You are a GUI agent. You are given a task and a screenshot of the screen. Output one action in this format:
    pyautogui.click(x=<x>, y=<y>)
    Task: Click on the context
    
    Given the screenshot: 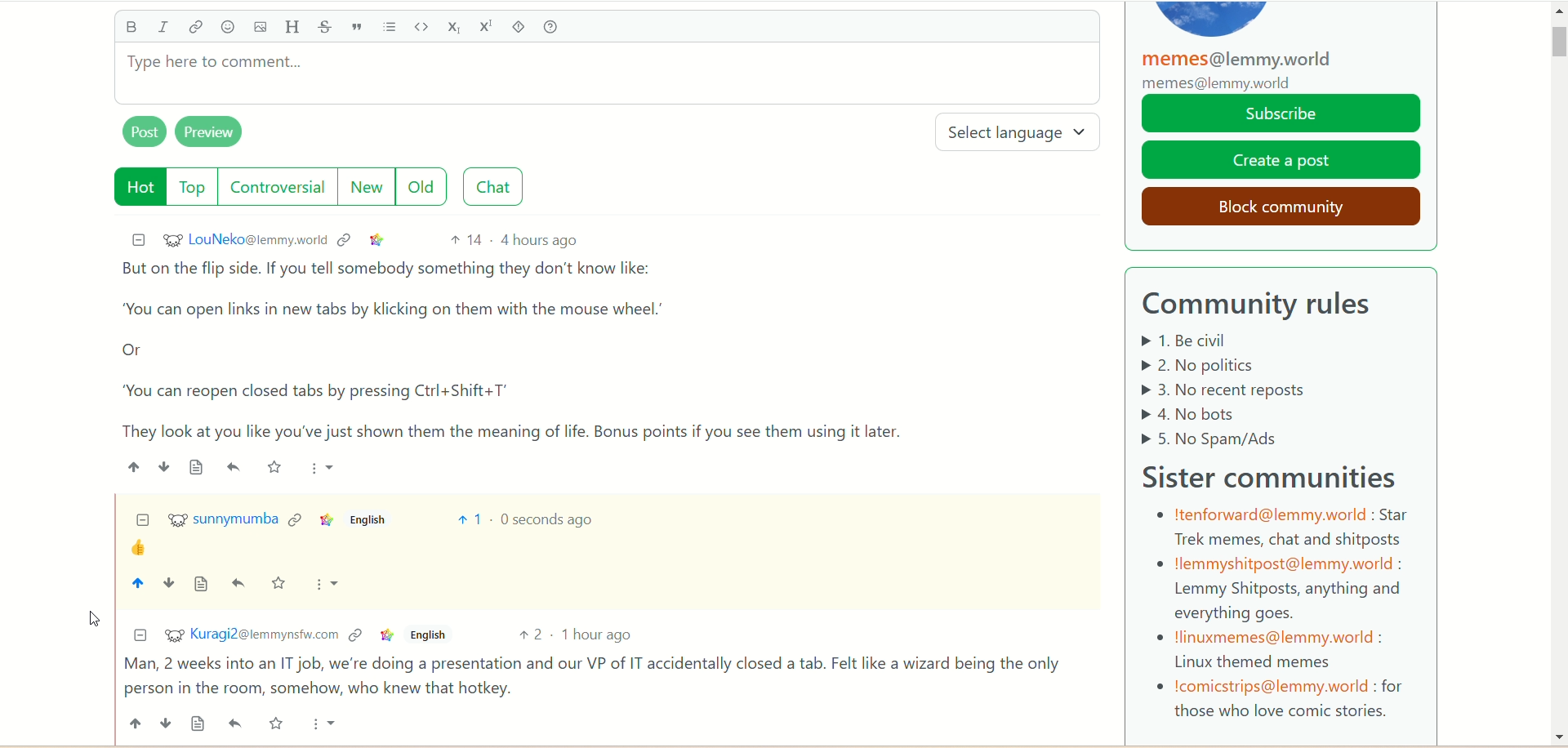 What is the action you would take?
    pyautogui.click(x=347, y=238)
    